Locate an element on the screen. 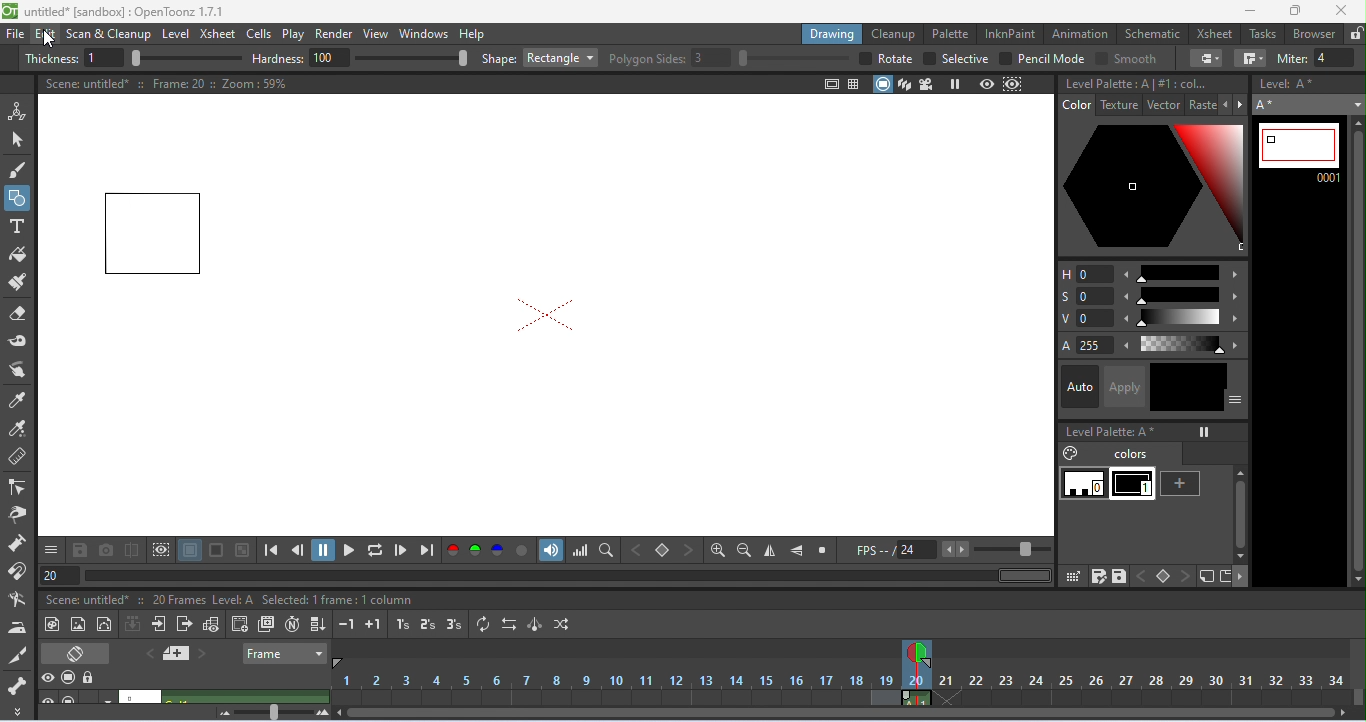 The height and width of the screenshot is (722, 1366). close is located at coordinates (1340, 10).